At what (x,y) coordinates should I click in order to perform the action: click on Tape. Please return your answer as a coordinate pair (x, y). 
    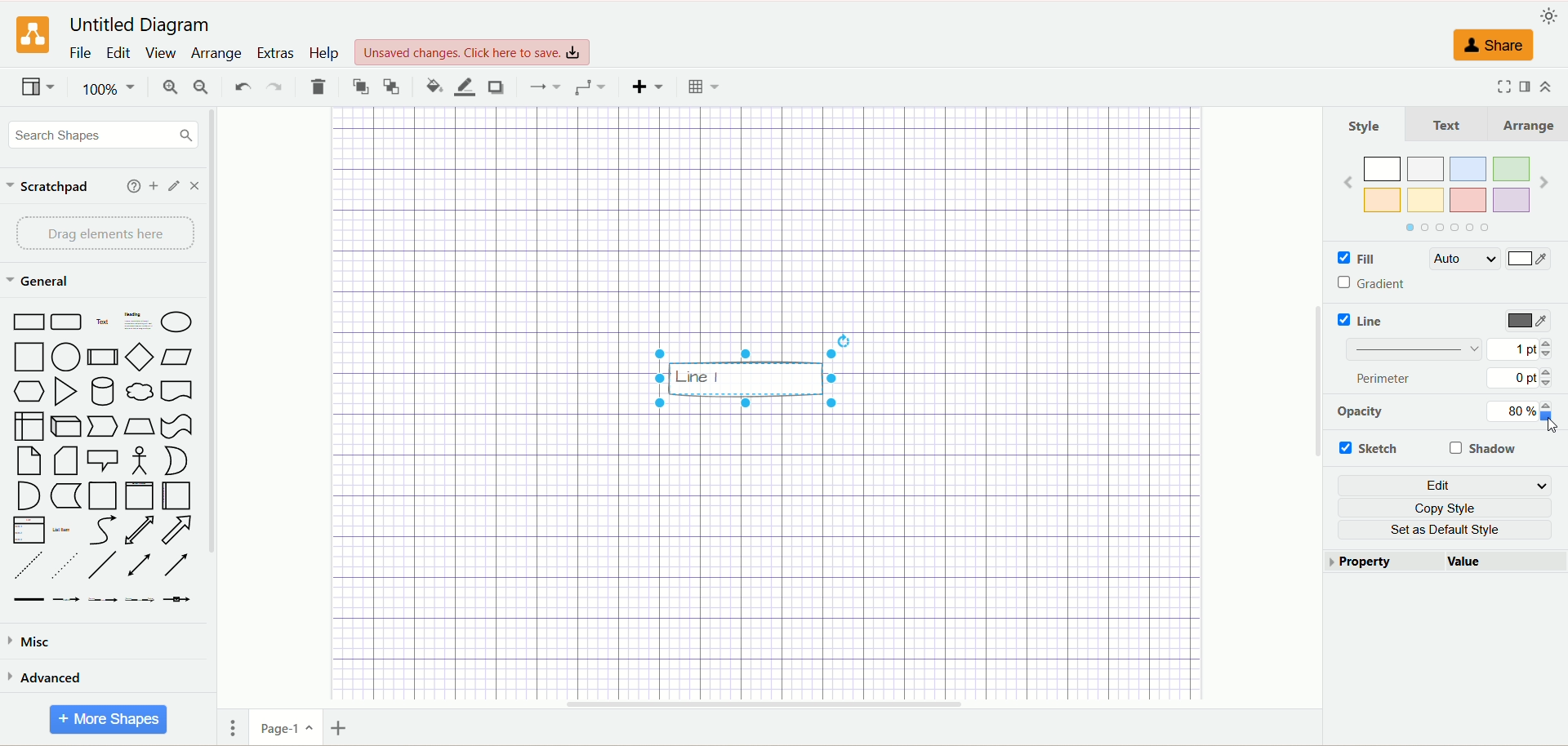
    Looking at the image, I should click on (176, 426).